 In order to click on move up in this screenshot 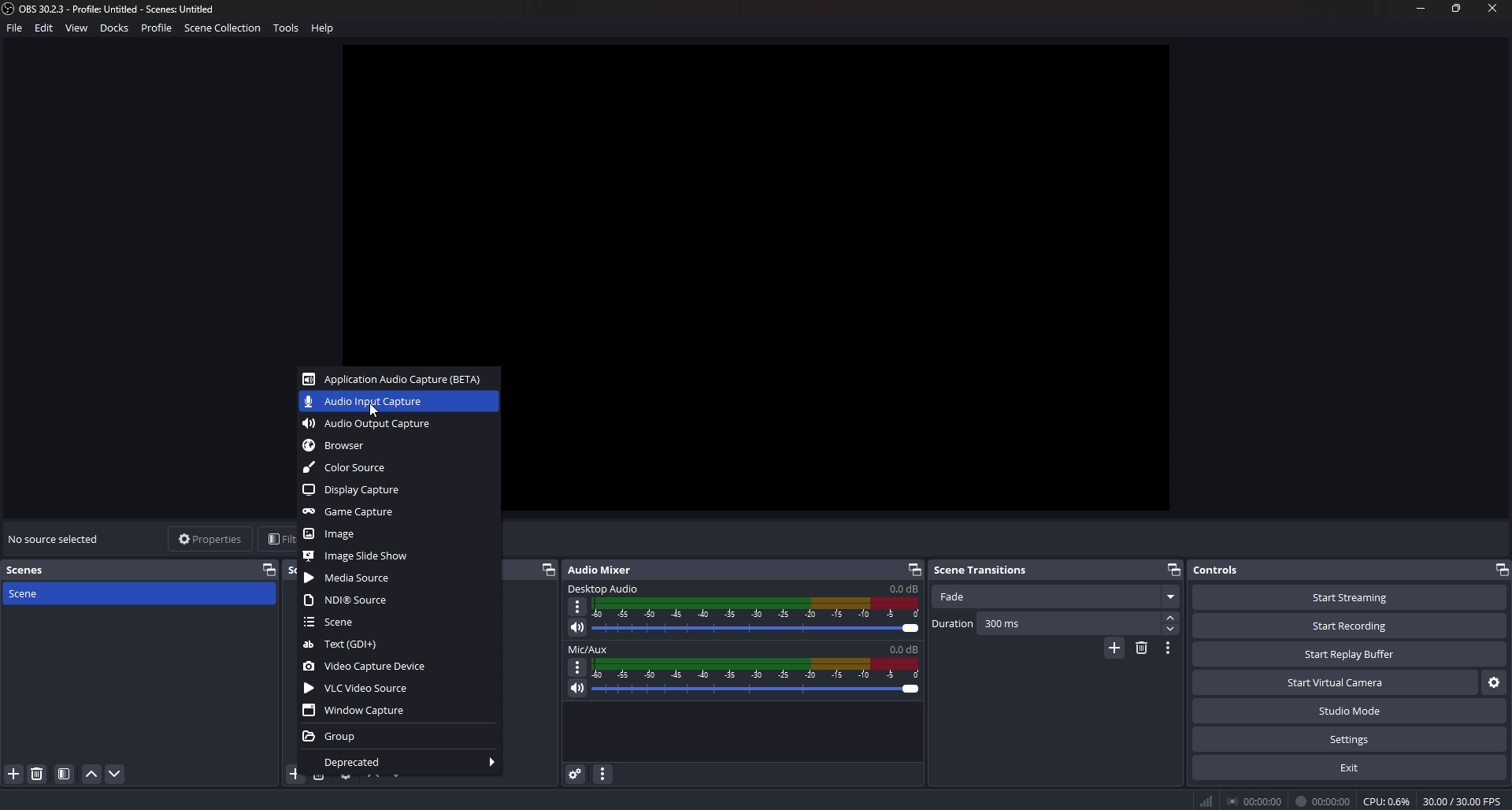, I will do `click(90, 773)`.